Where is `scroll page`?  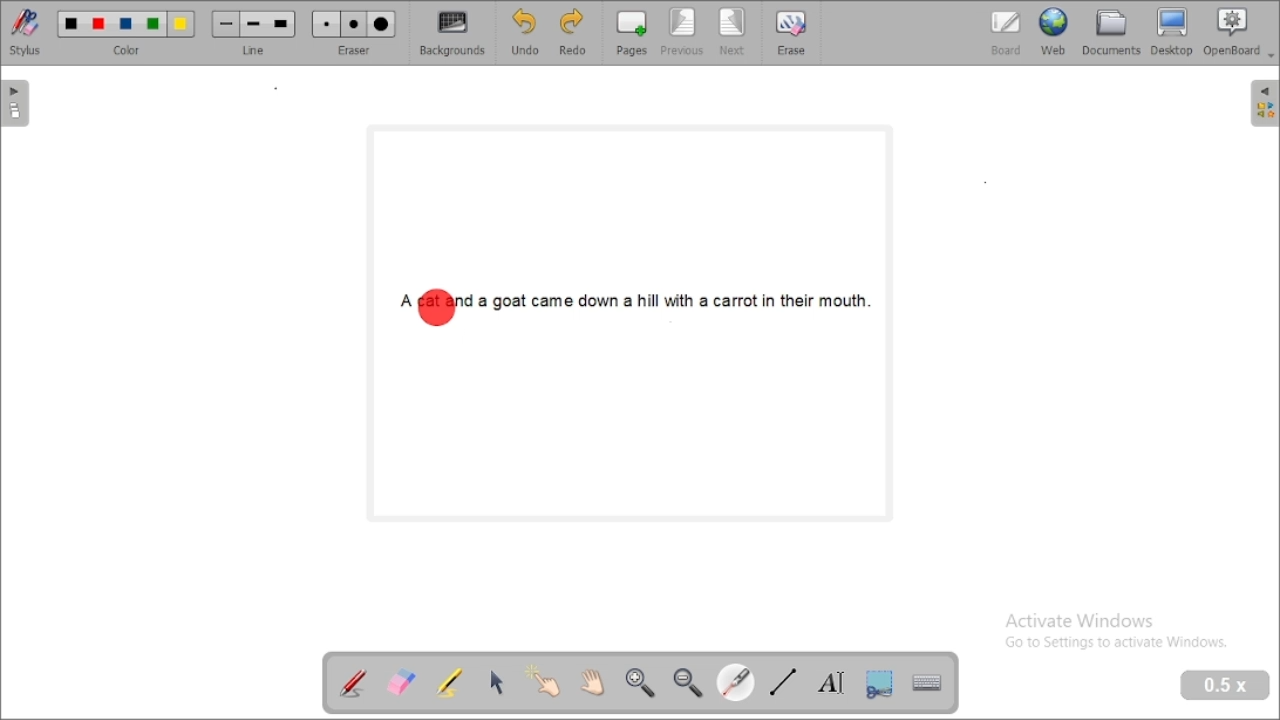
scroll page is located at coordinates (593, 683).